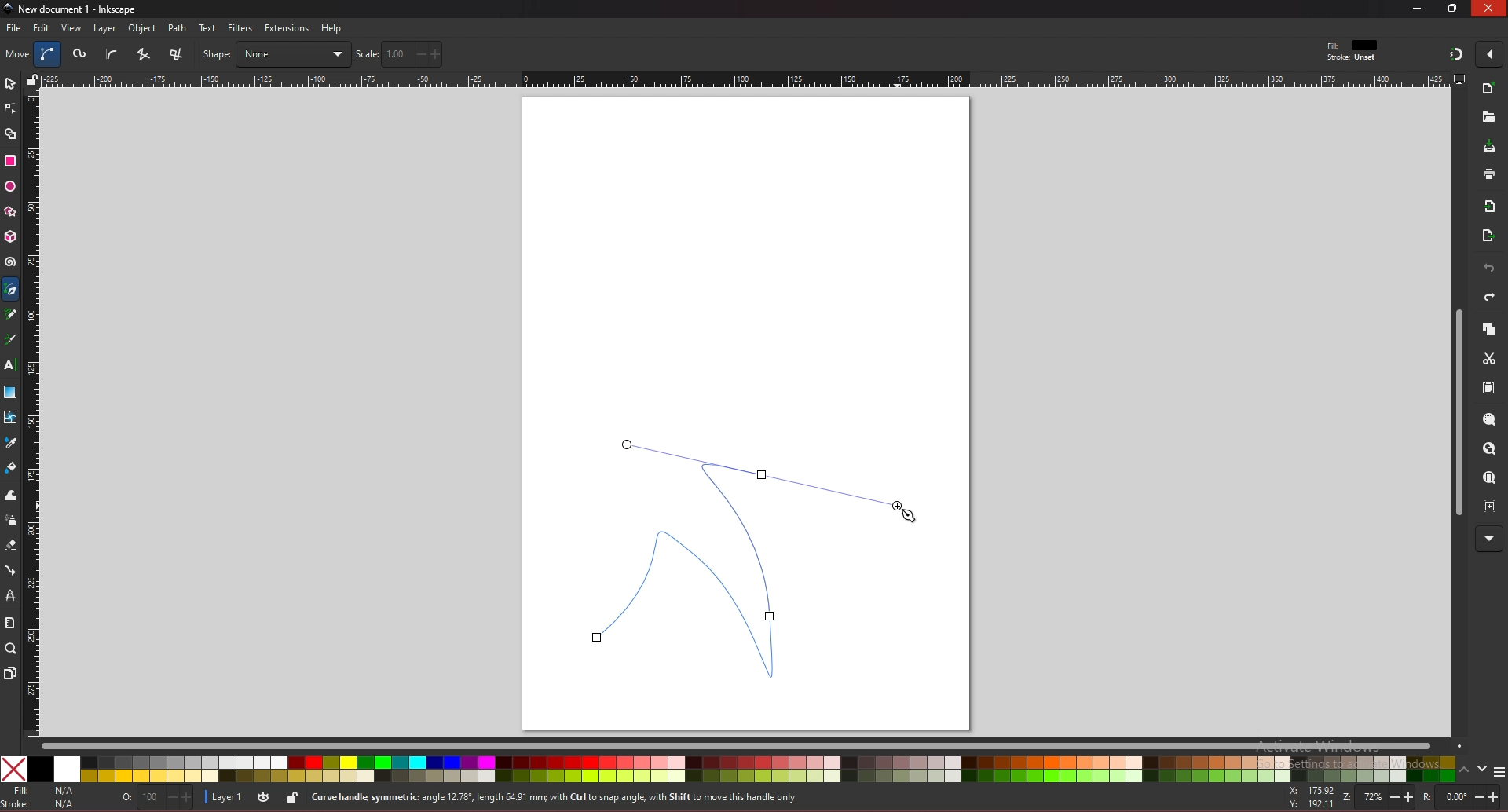 The width and height of the screenshot is (1508, 812). Describe the element at coordinates (11, 392) in the screenshot. I see `gradient` at that location.